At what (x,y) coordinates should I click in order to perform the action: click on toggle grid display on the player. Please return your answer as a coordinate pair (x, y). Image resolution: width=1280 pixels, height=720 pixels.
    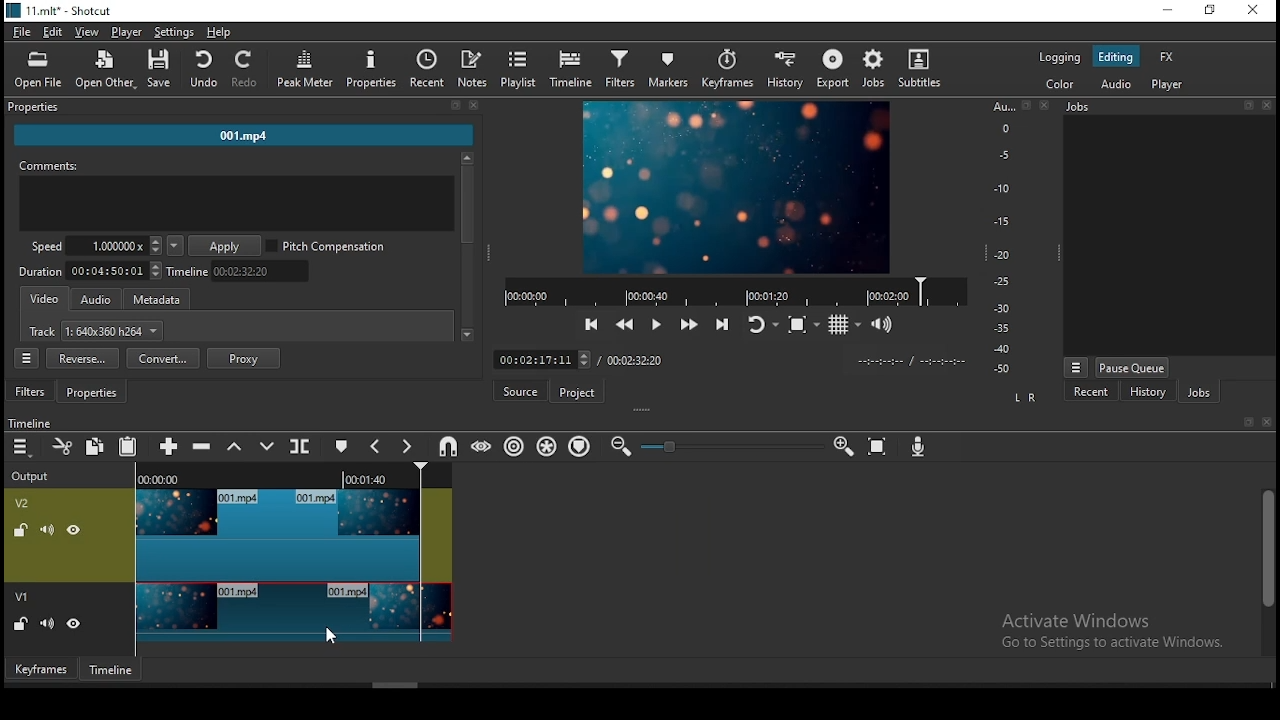
    Looking at the image, I should click on (847, 324).